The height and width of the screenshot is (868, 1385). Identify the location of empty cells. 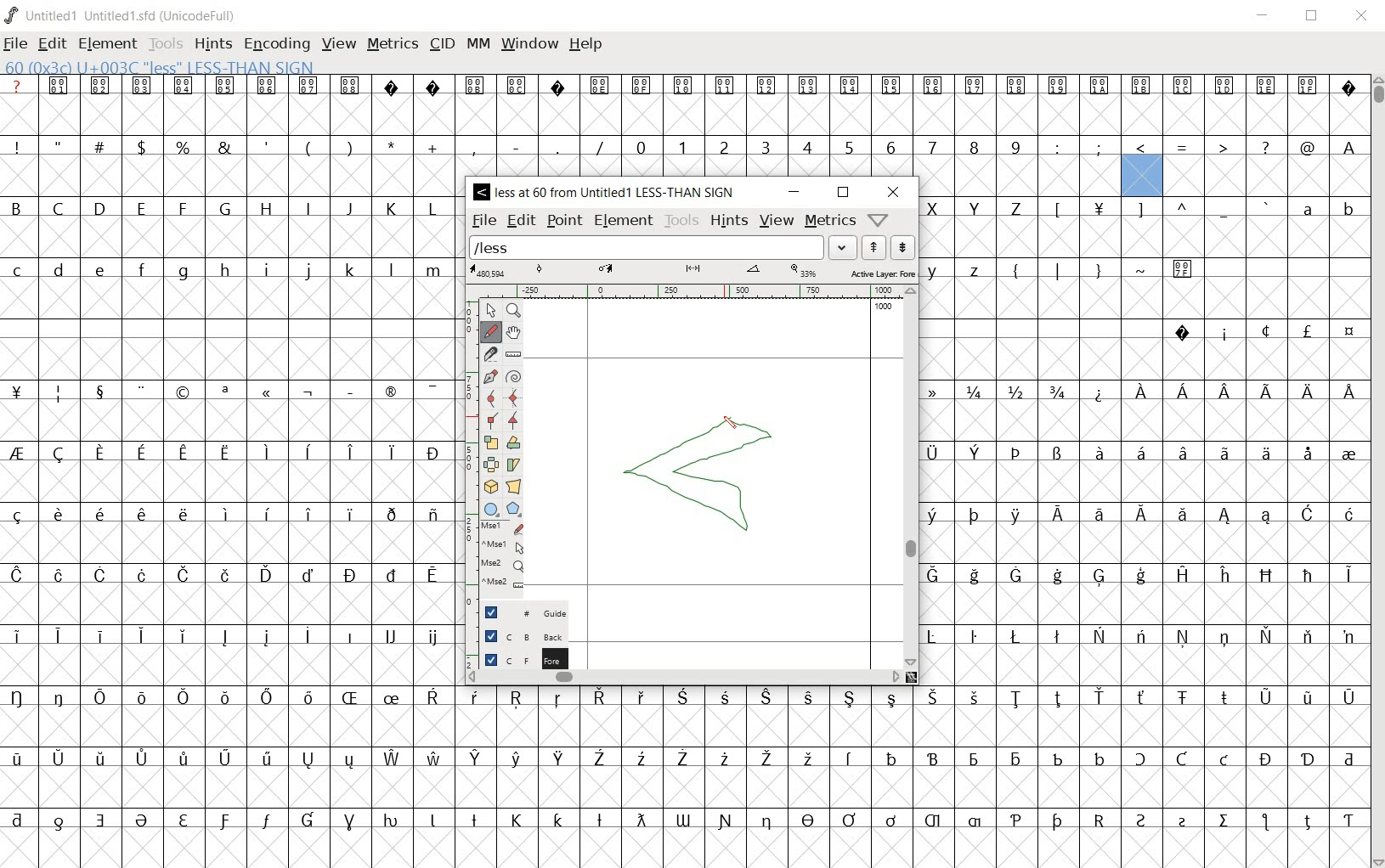
(229, 300).